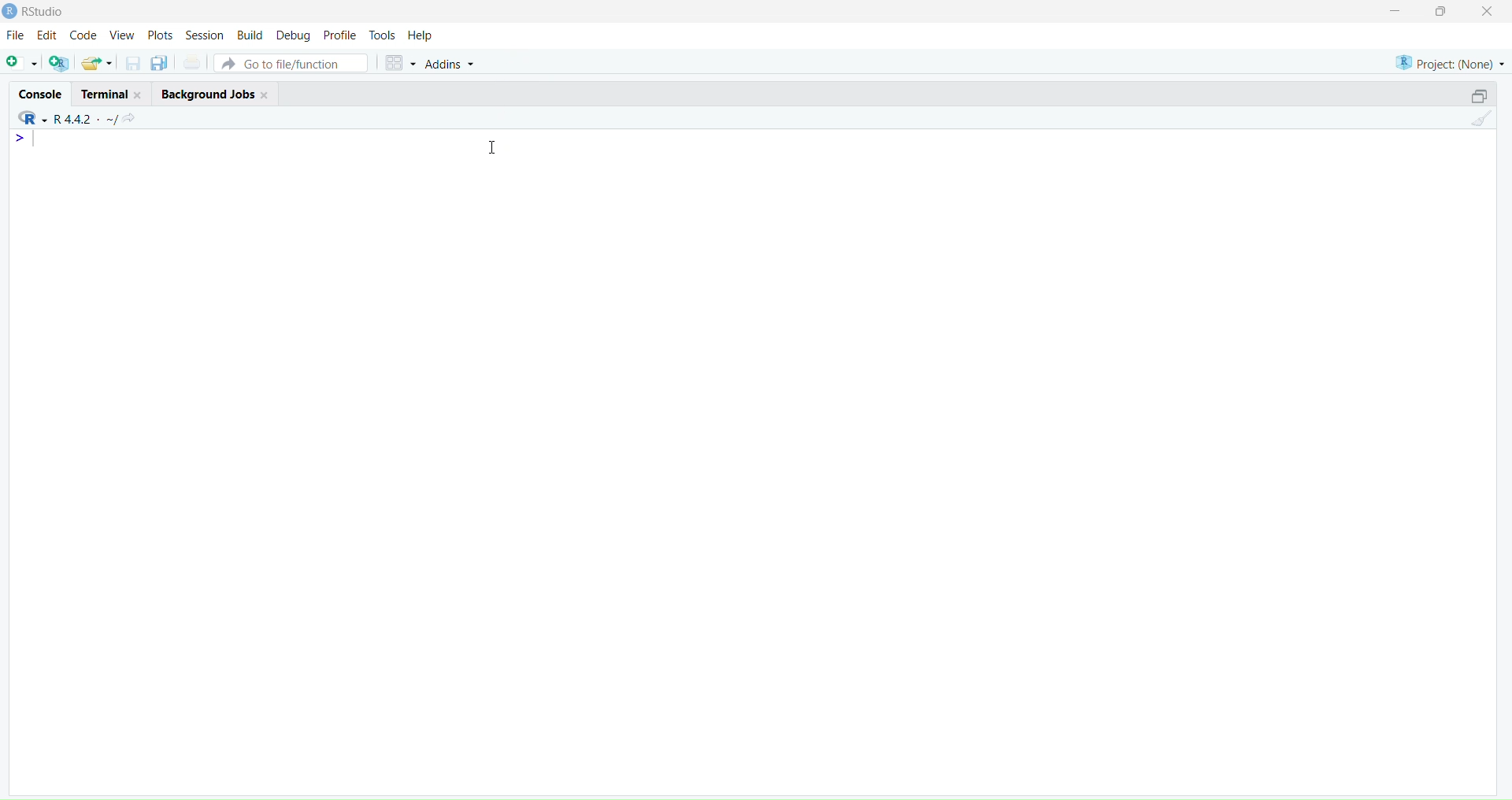  What do you see at coordinates (1393, 12) in the screenshot?
I see `minimize` at bounding box center [1393, 12].